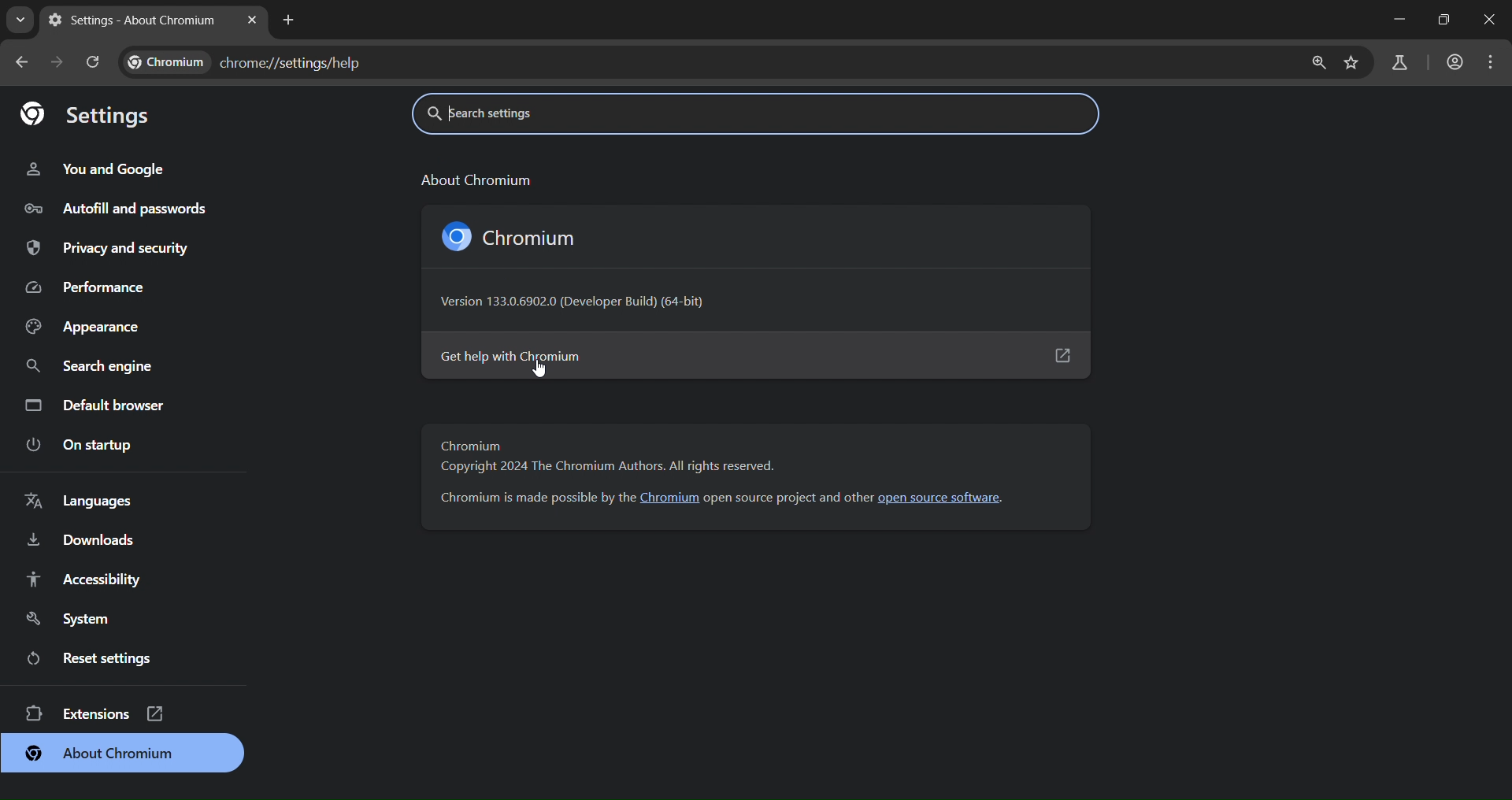 This screenshot has height=800, width=1512. Describe the element at coordinates (95, 62) in the screenshot. I see `reload page` at that location.